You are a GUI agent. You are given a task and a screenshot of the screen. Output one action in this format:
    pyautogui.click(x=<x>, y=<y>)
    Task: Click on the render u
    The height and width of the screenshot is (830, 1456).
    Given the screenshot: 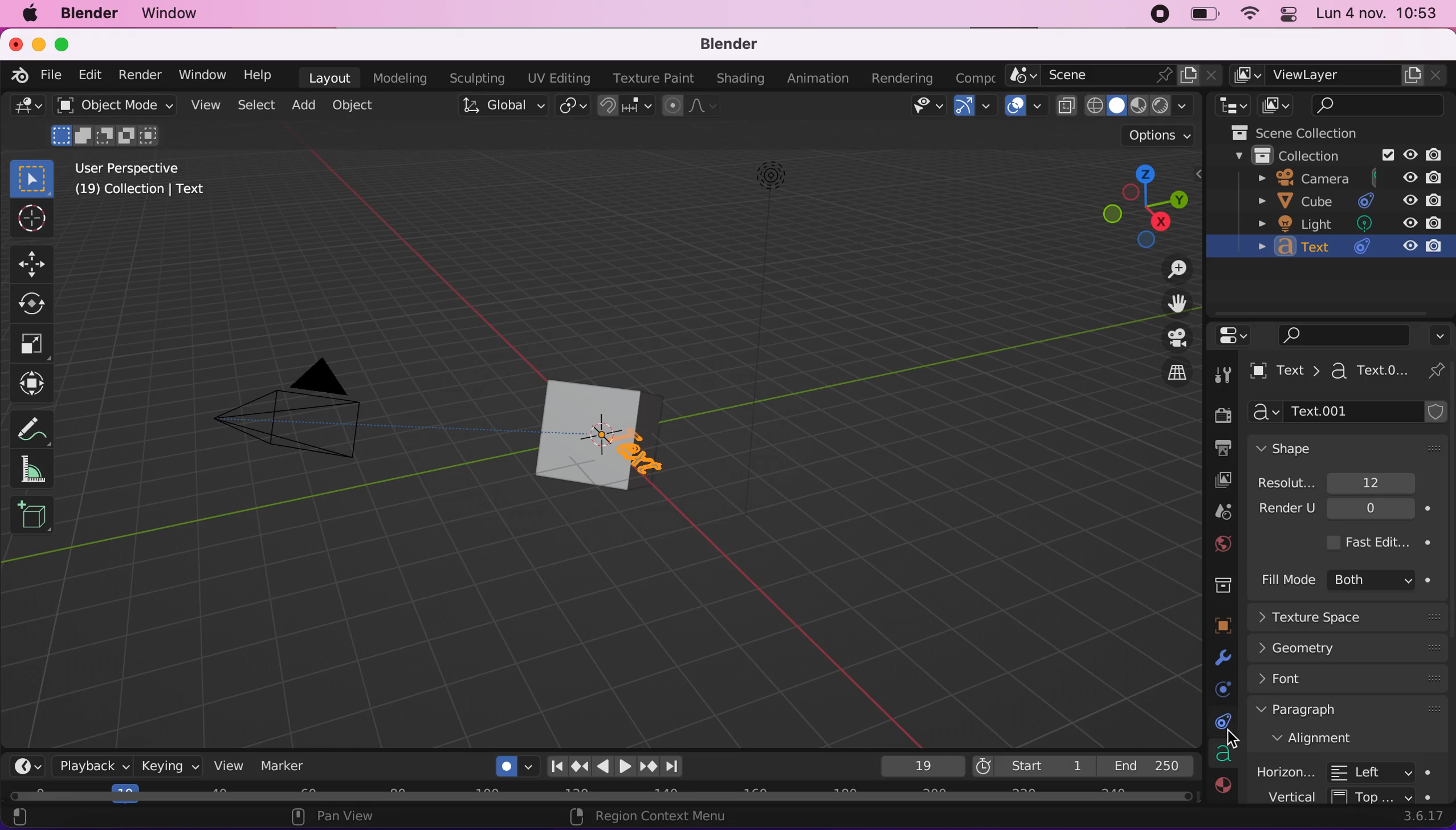 What is the action you would take?
    pyautogui.click(x=1349, y=512)
    